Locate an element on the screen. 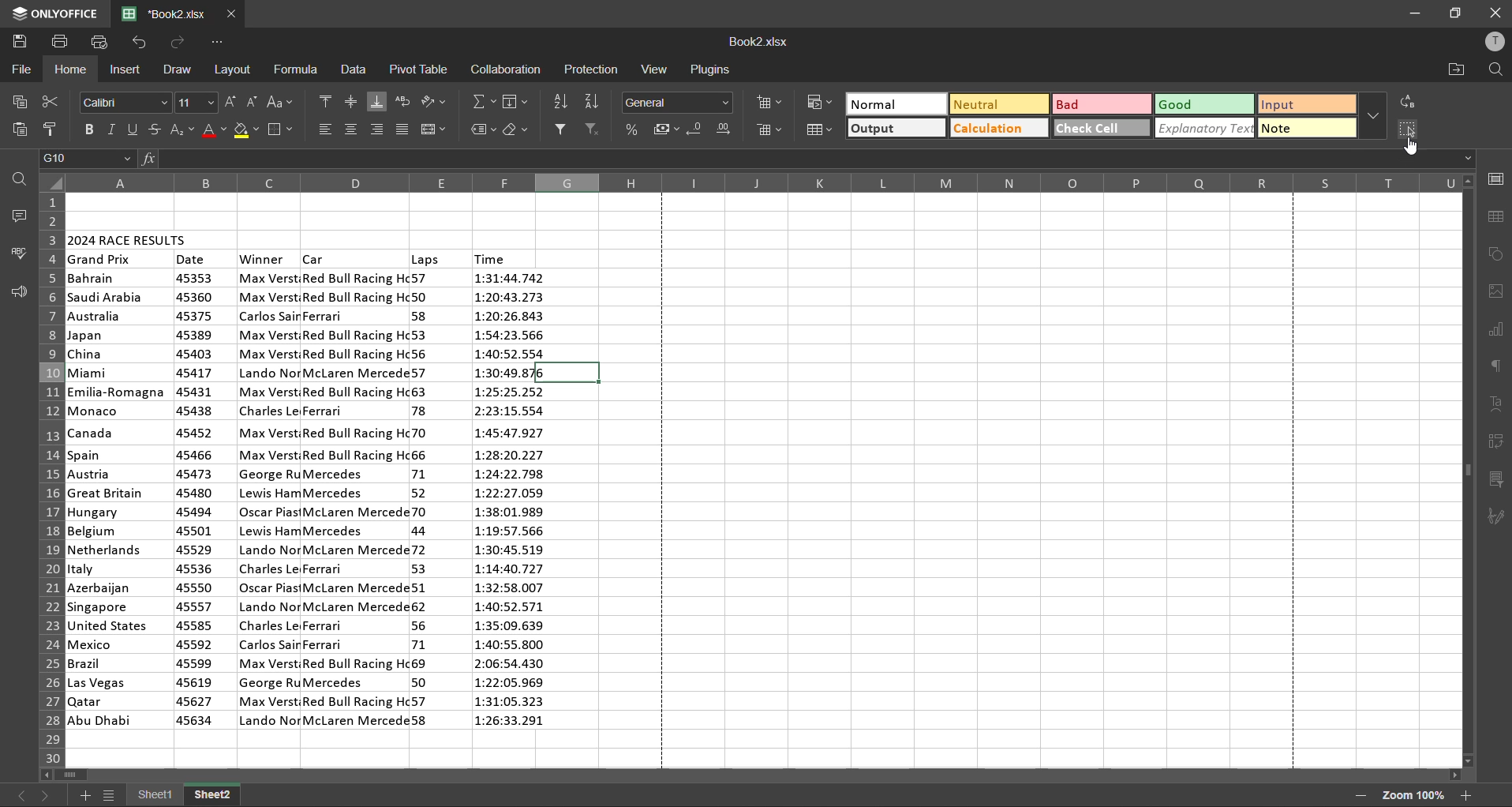 The image size is (1512, 807). maximize is located at coordinates (1458, 12).